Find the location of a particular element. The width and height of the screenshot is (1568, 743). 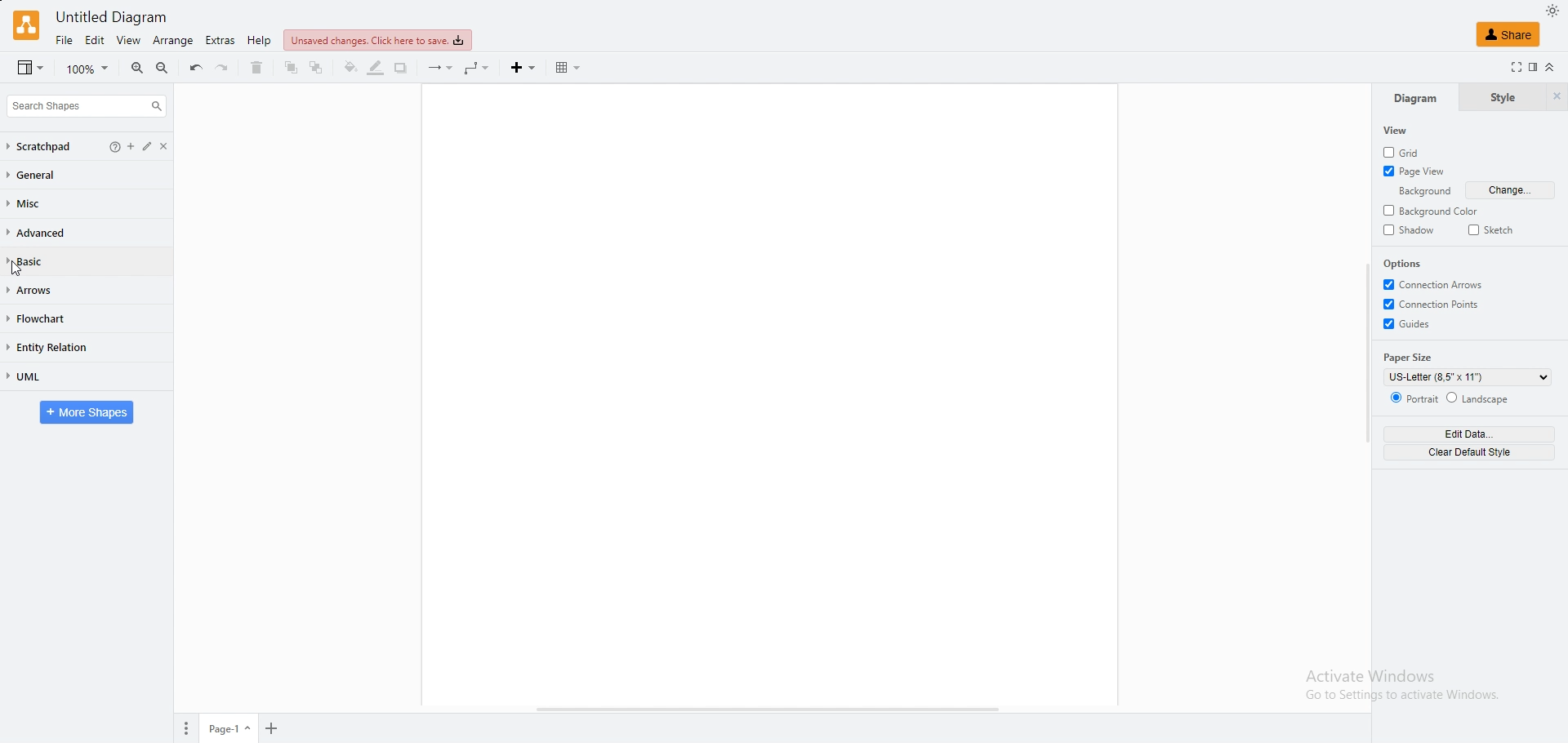

portrait is located at coordinates (1411, 397).